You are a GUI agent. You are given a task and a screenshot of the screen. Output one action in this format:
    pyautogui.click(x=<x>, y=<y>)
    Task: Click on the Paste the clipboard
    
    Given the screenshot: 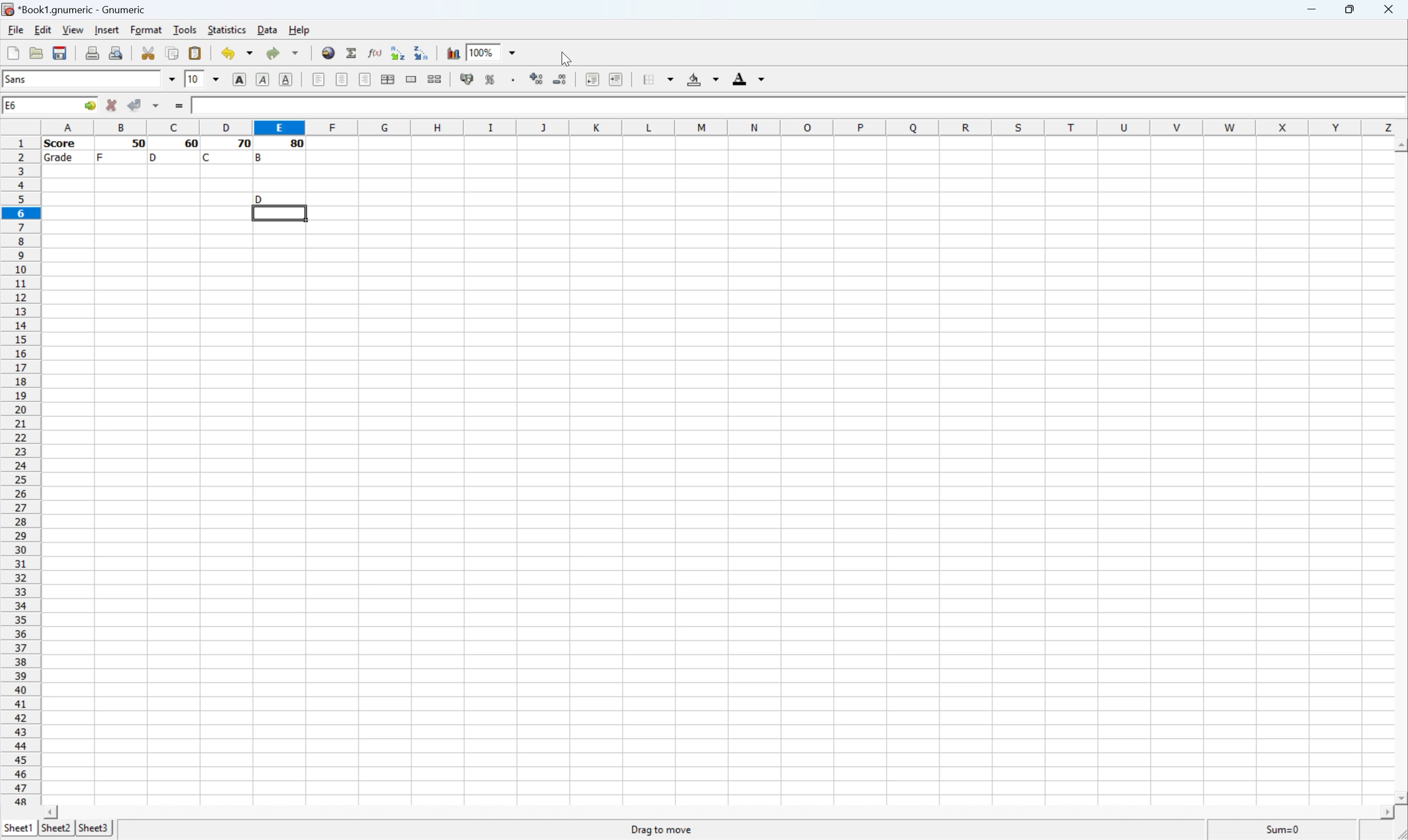 What is the action you would take?
    pyautogui.click(x=199, y=53)
    